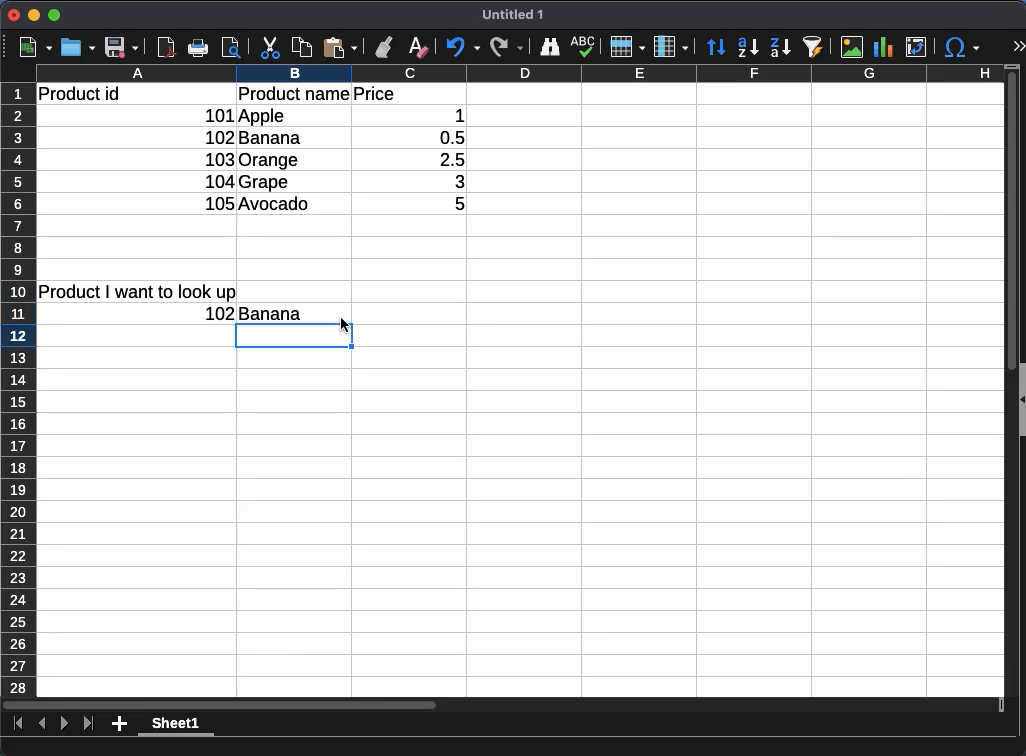 Image resolution: width=1026 pixels, height=756 pixels. Describe the element at coordinates (464, 47) in the screenshot. I see `undo` at that location.